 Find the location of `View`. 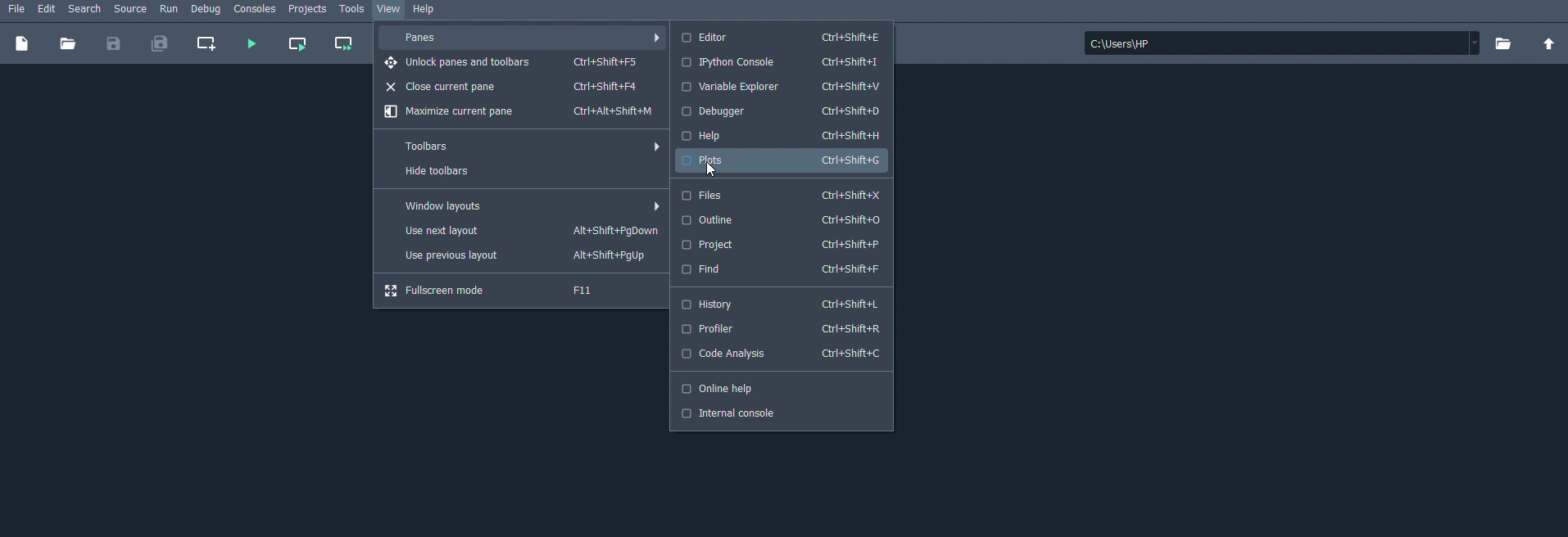

View is located at coordinates (390, 10).